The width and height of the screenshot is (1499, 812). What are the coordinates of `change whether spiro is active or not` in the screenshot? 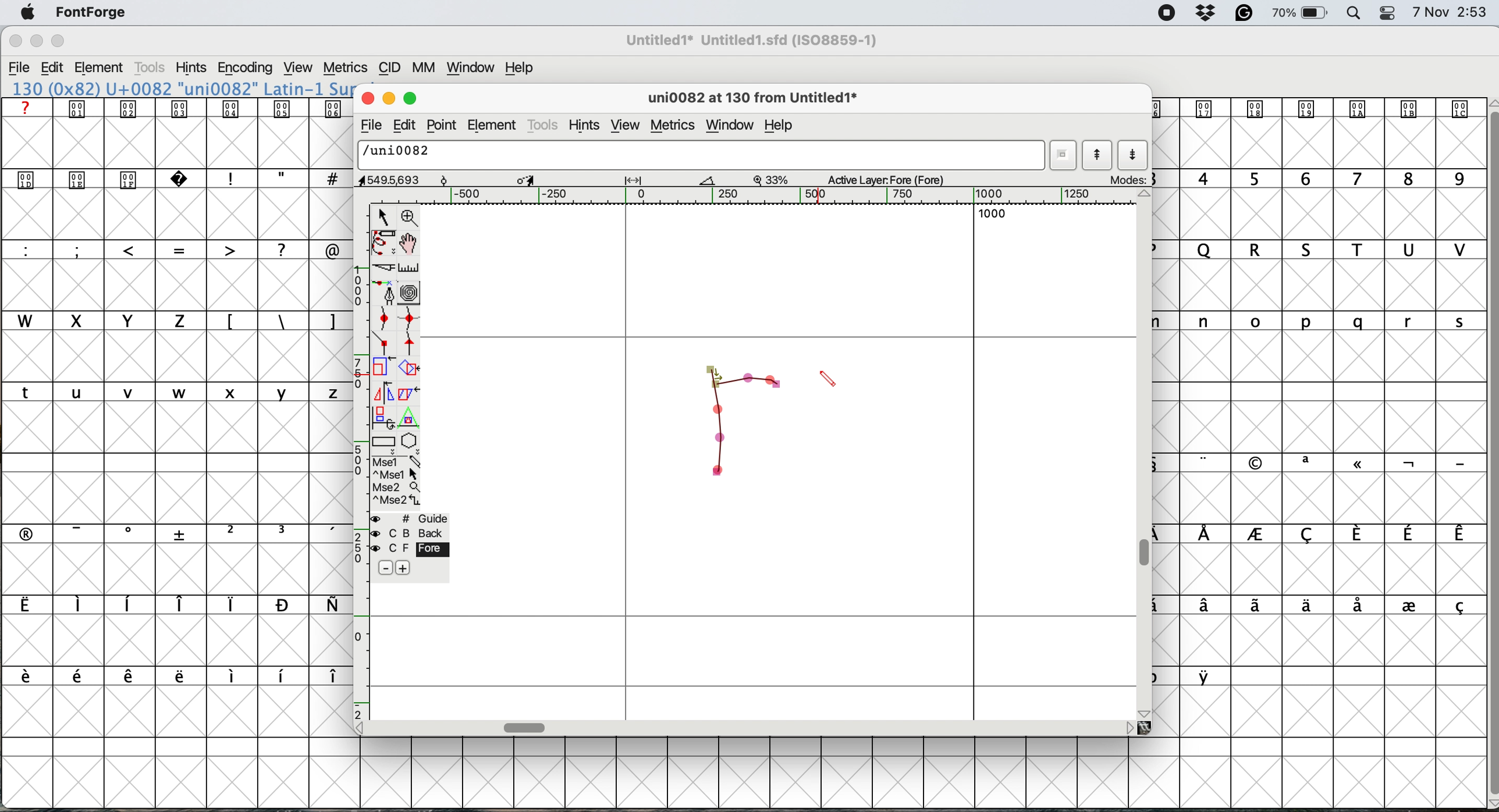 It's located at (413, 294).